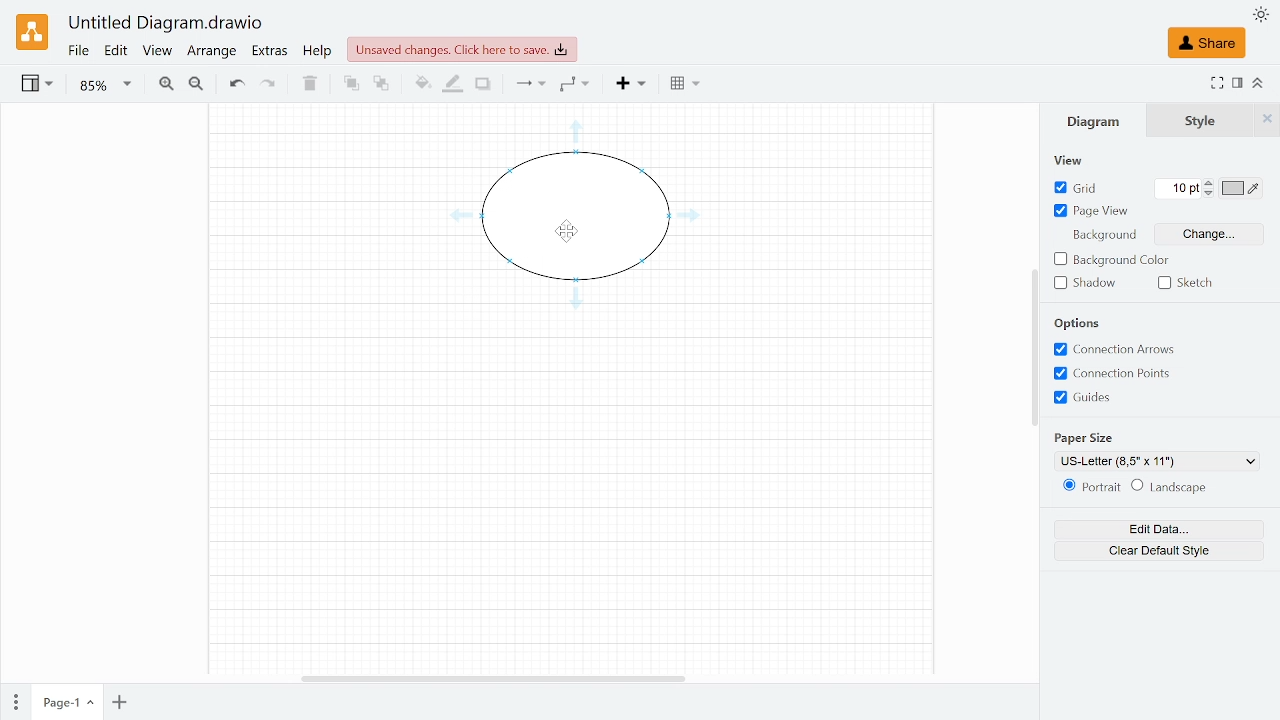  Describe the element at coordinates (1259, 16) in the screenshot. I see `Appearence` at that location.